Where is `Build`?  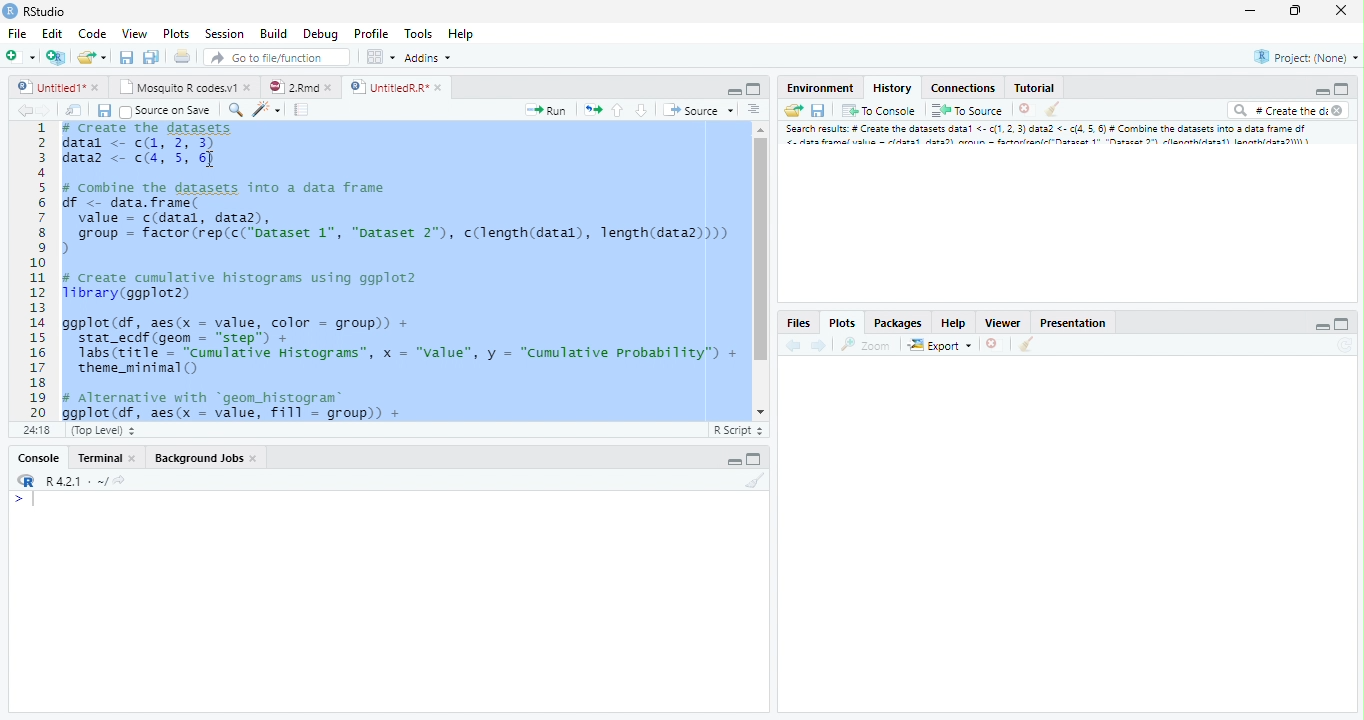
Build is located at coordinates (275, 34).